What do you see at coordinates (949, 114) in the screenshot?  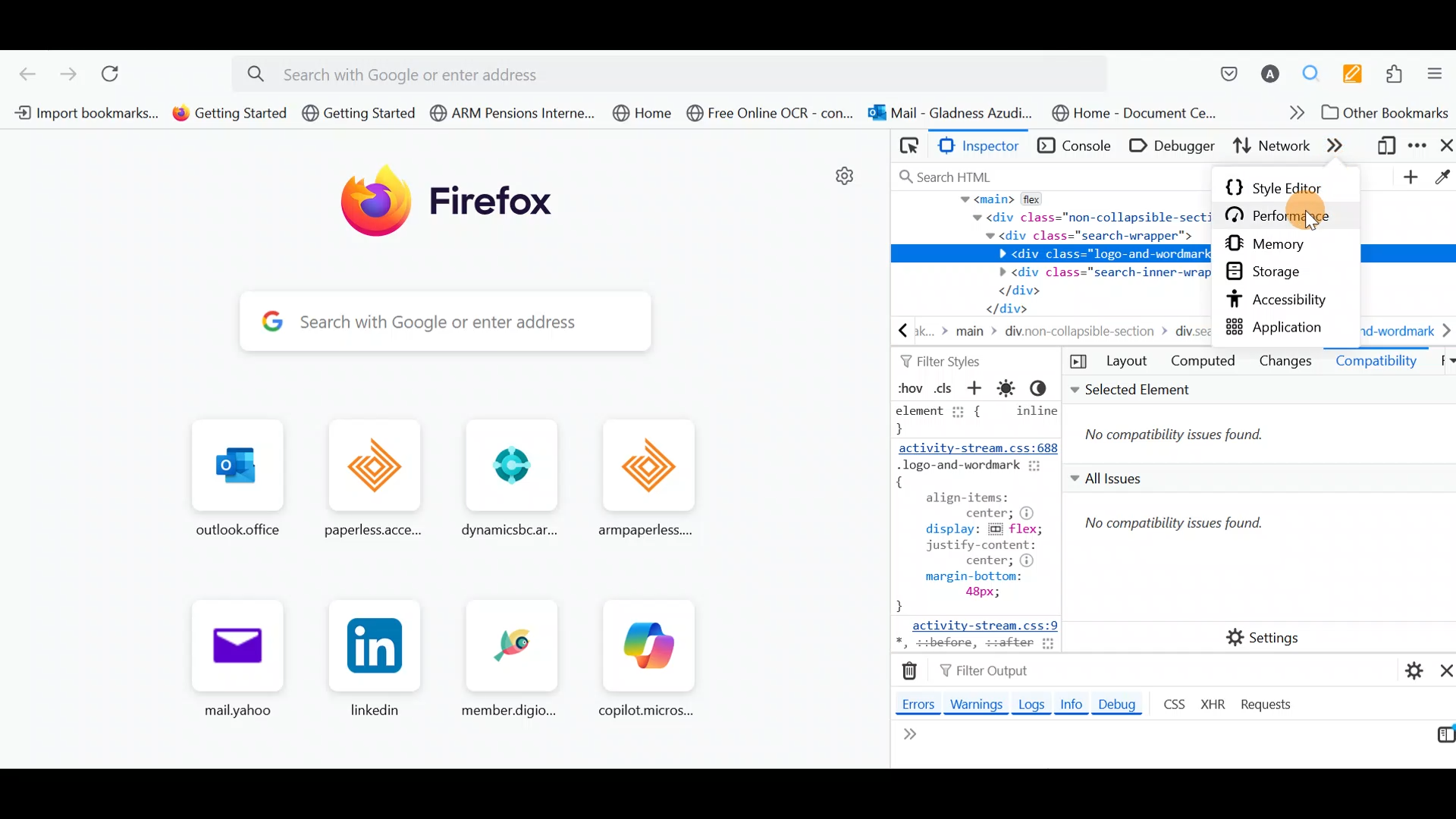 I see `Bookmark 7` at bounding box center [949, 114].